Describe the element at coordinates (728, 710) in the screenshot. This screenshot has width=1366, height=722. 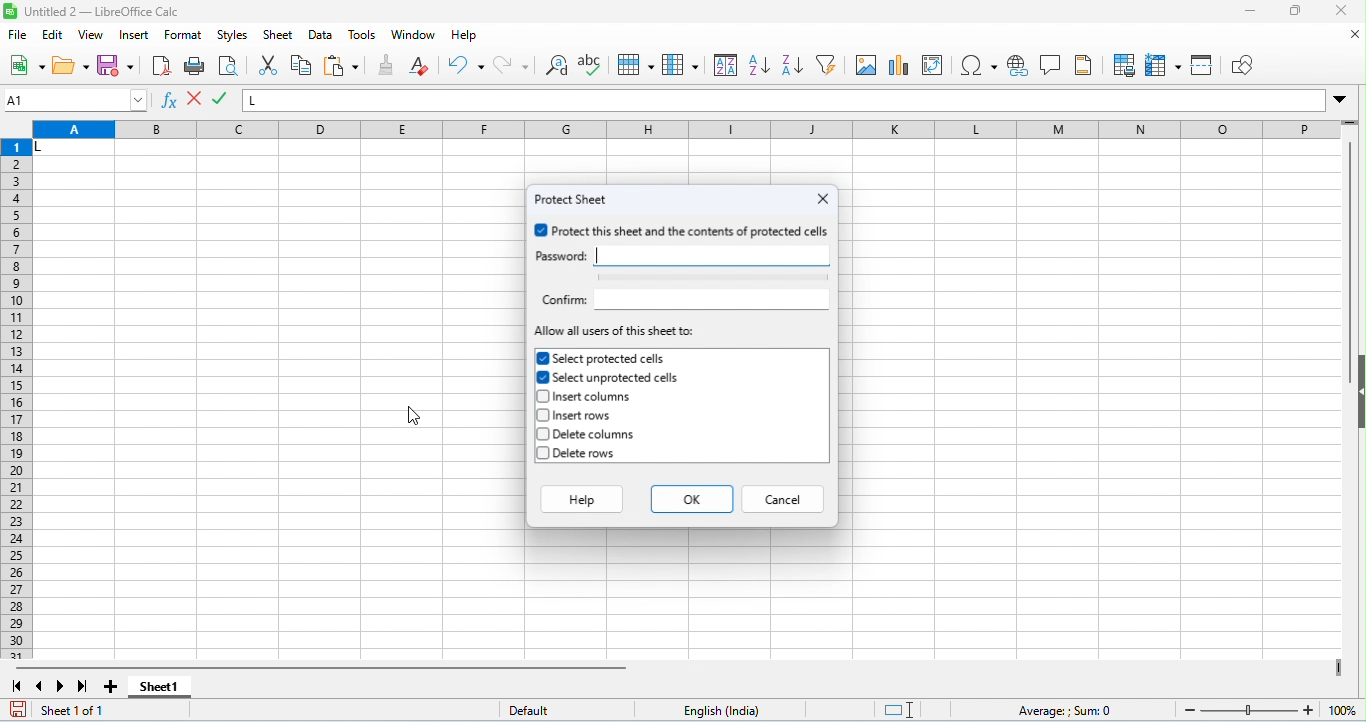
I see `language` at that location.